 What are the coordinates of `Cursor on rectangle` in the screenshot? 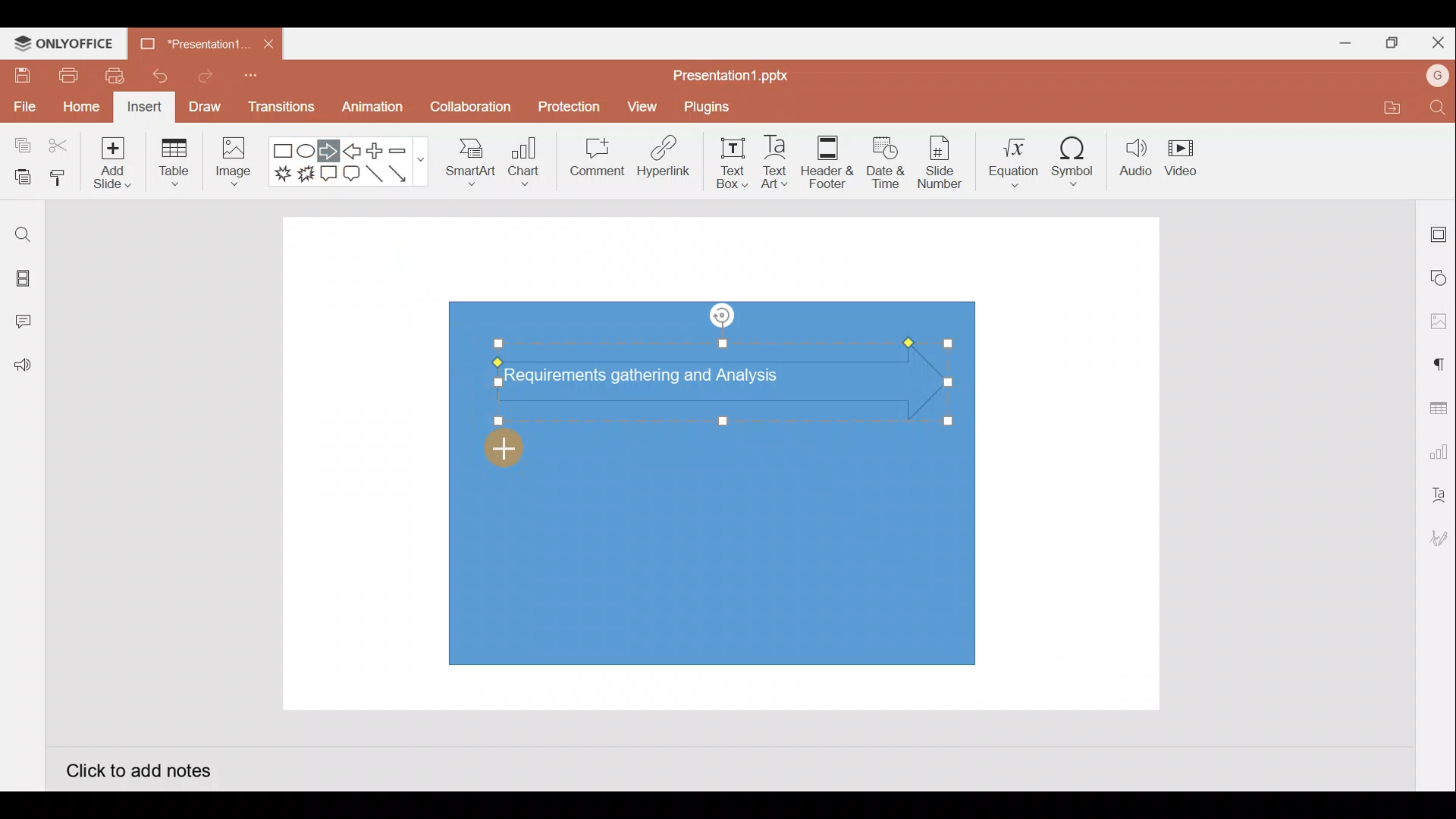 It's located at (514, 452).